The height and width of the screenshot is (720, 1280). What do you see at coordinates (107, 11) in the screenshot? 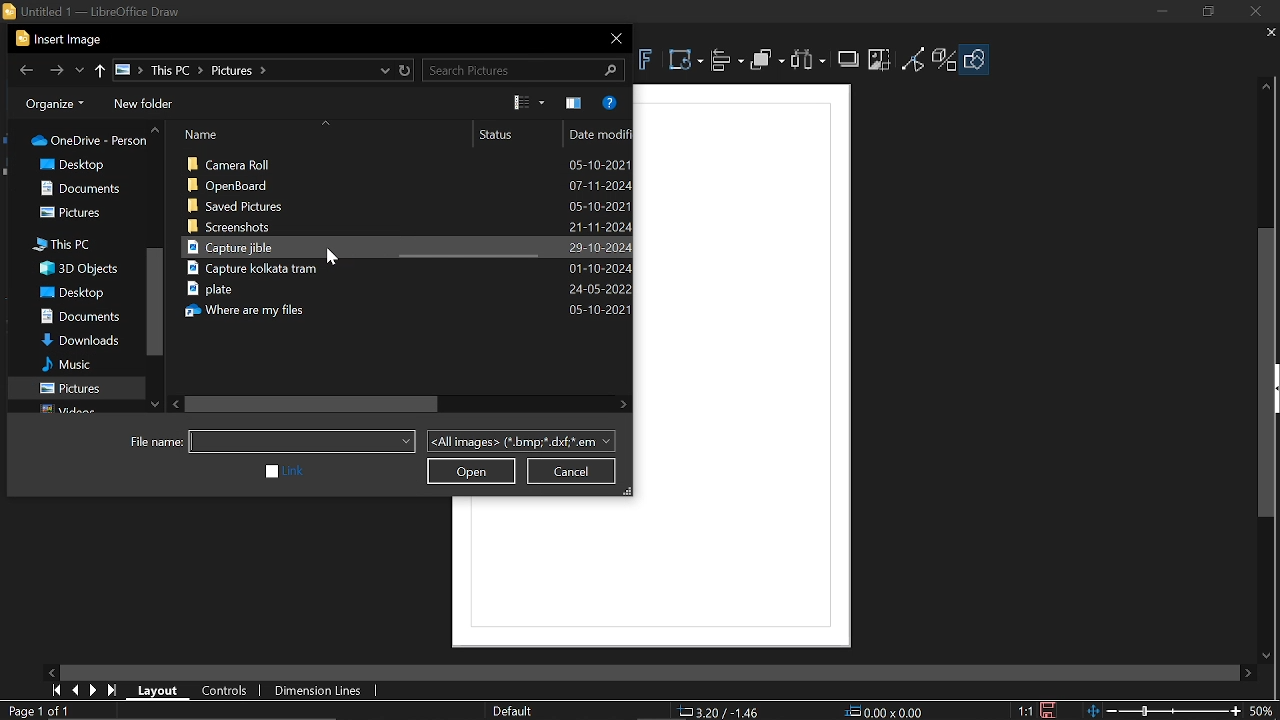
I see `untitled 1 - LibreOffice Draw` at bounding box center [107, 11].